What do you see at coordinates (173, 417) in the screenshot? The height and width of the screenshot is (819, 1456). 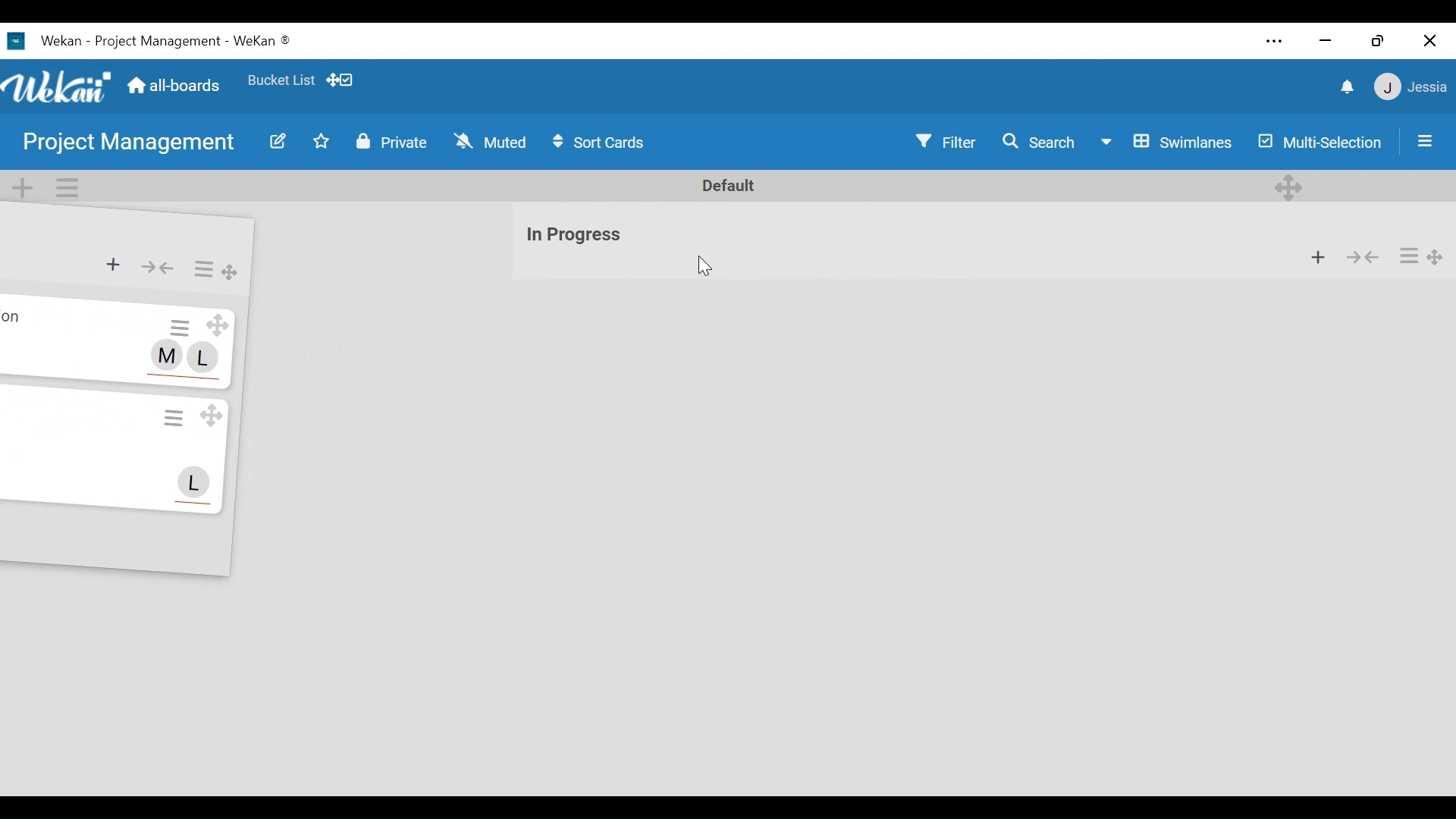 I see `Card Actions` at bounding box center [173, 417].